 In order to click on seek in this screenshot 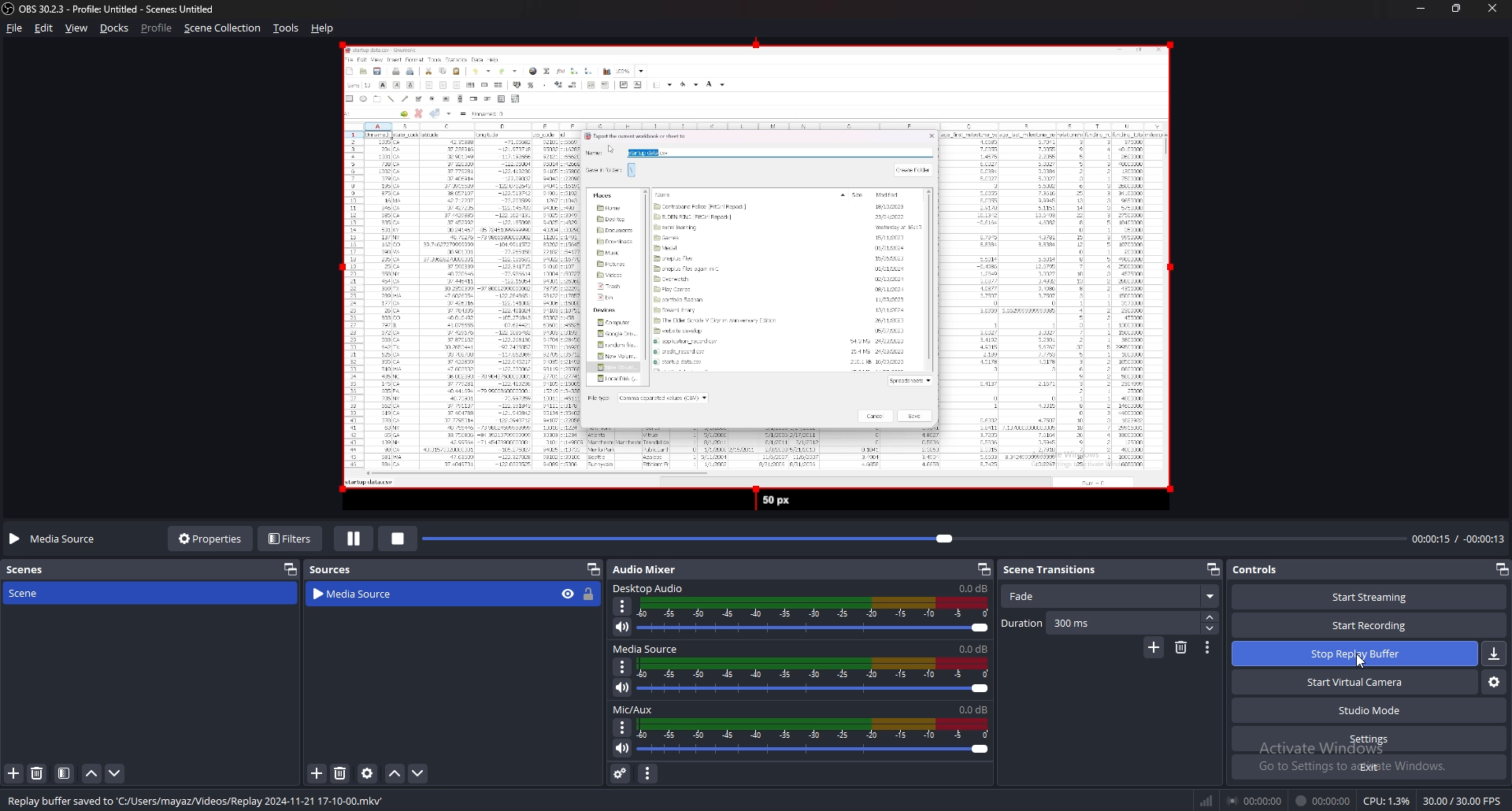, I will do `click(914, 539)`.